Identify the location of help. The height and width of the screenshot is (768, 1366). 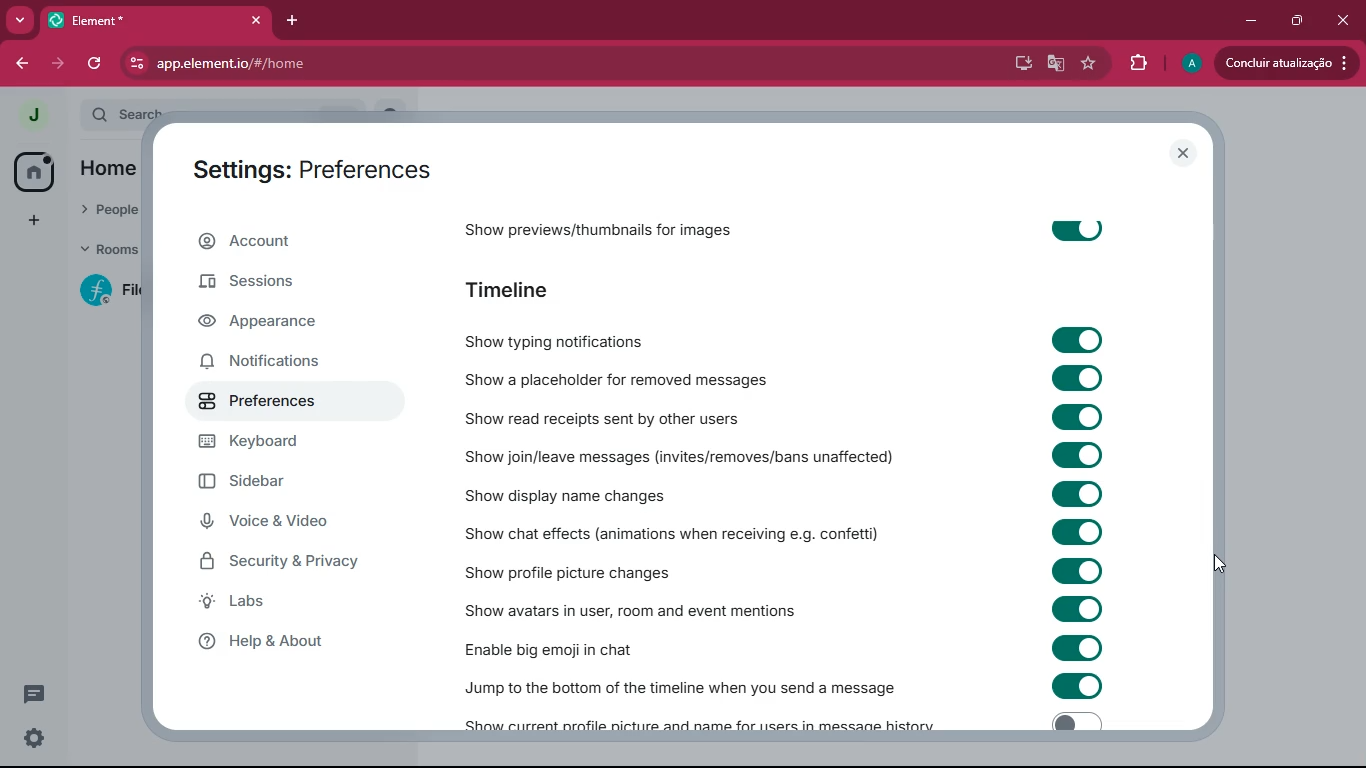
(294, 643).